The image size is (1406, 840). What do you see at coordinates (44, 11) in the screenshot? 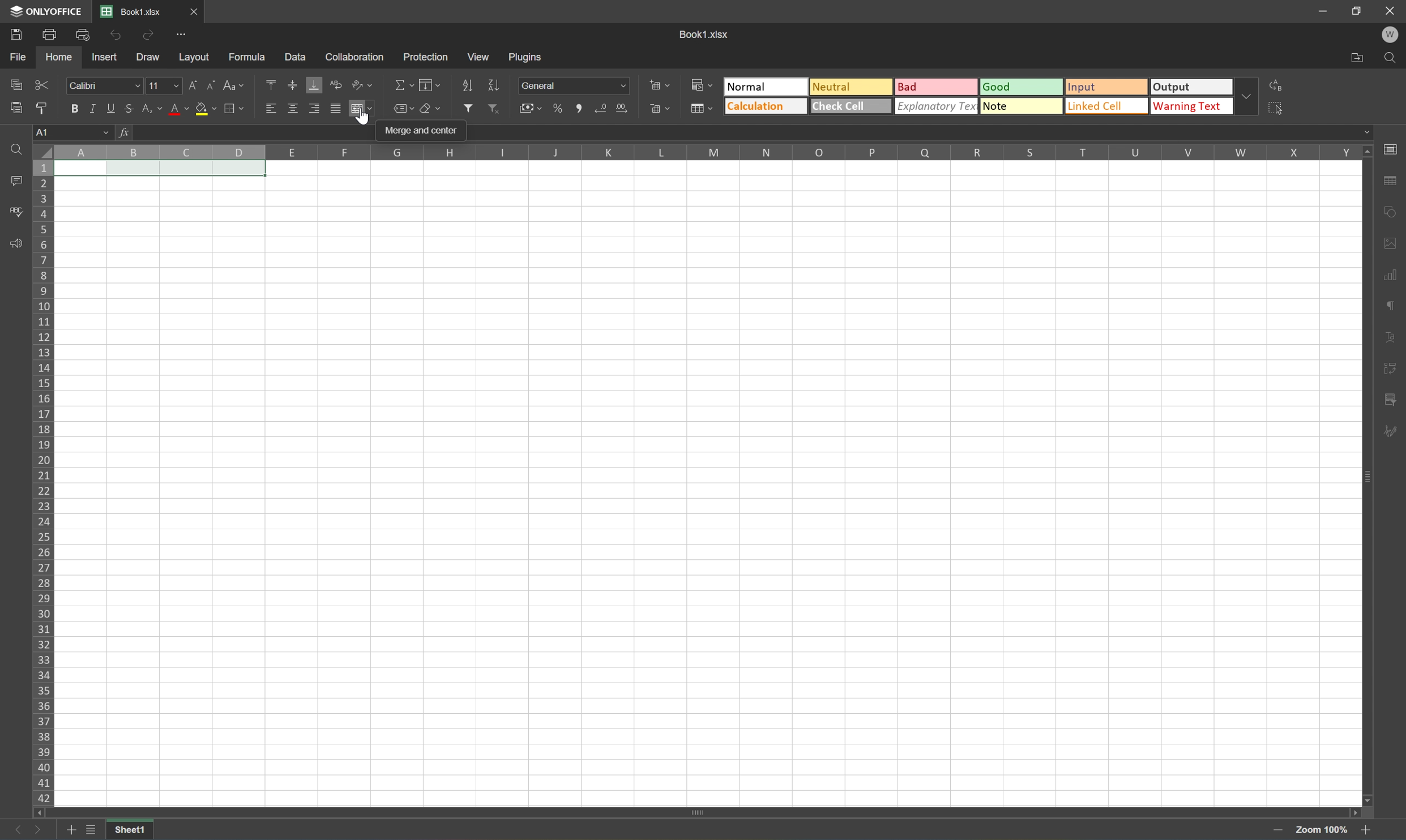
I see `ONLYOFFICE` at bounding box center [44, 11].